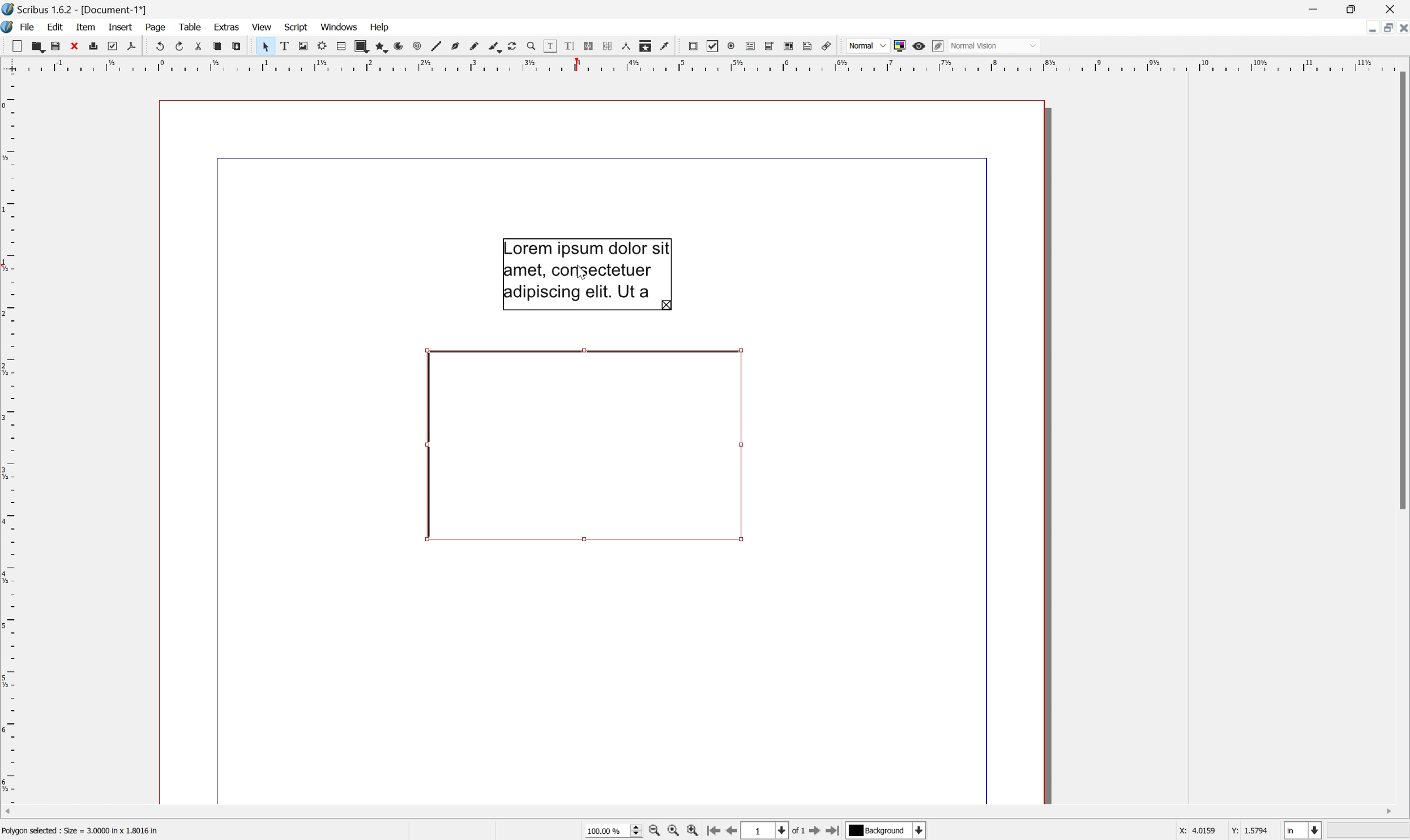  What do you see at coordinates (263, 27) in the screenshot?
I see `View` at bounding box center [263, 27].